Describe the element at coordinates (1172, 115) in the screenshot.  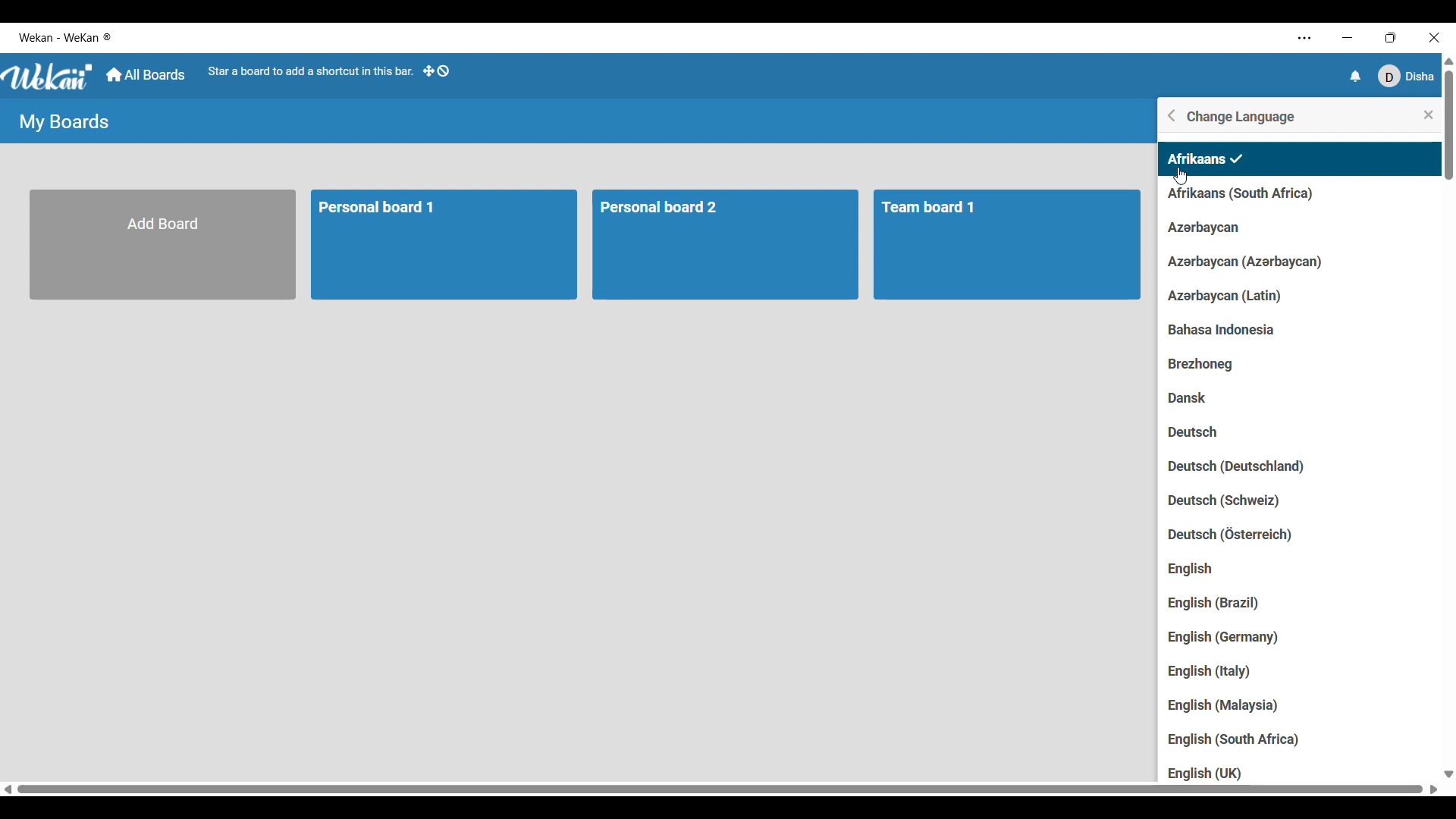
I see `Go back` at that location.